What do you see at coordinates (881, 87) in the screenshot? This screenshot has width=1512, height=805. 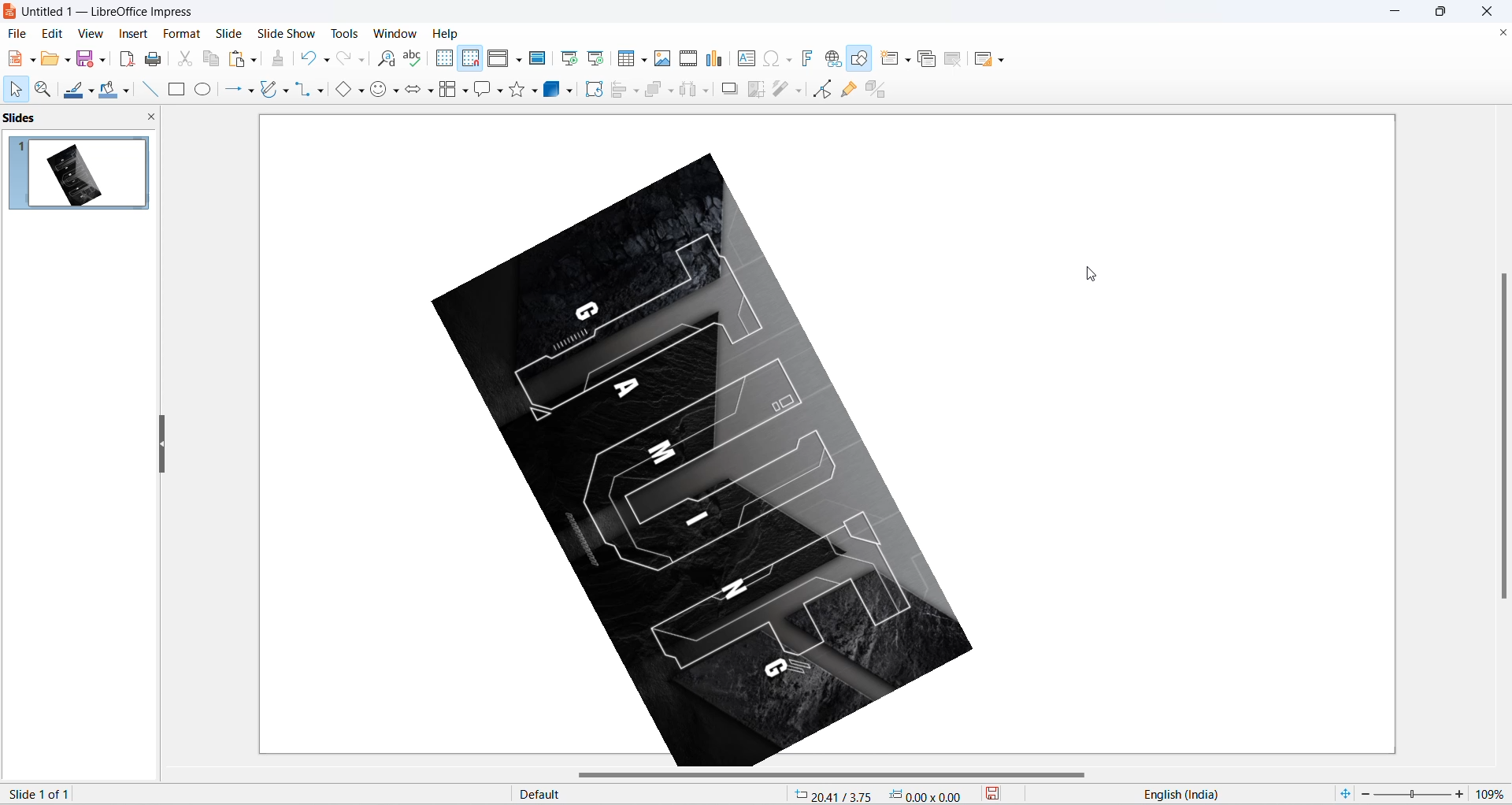 I see `toggle extrusion` at bounding box center [881, 87].